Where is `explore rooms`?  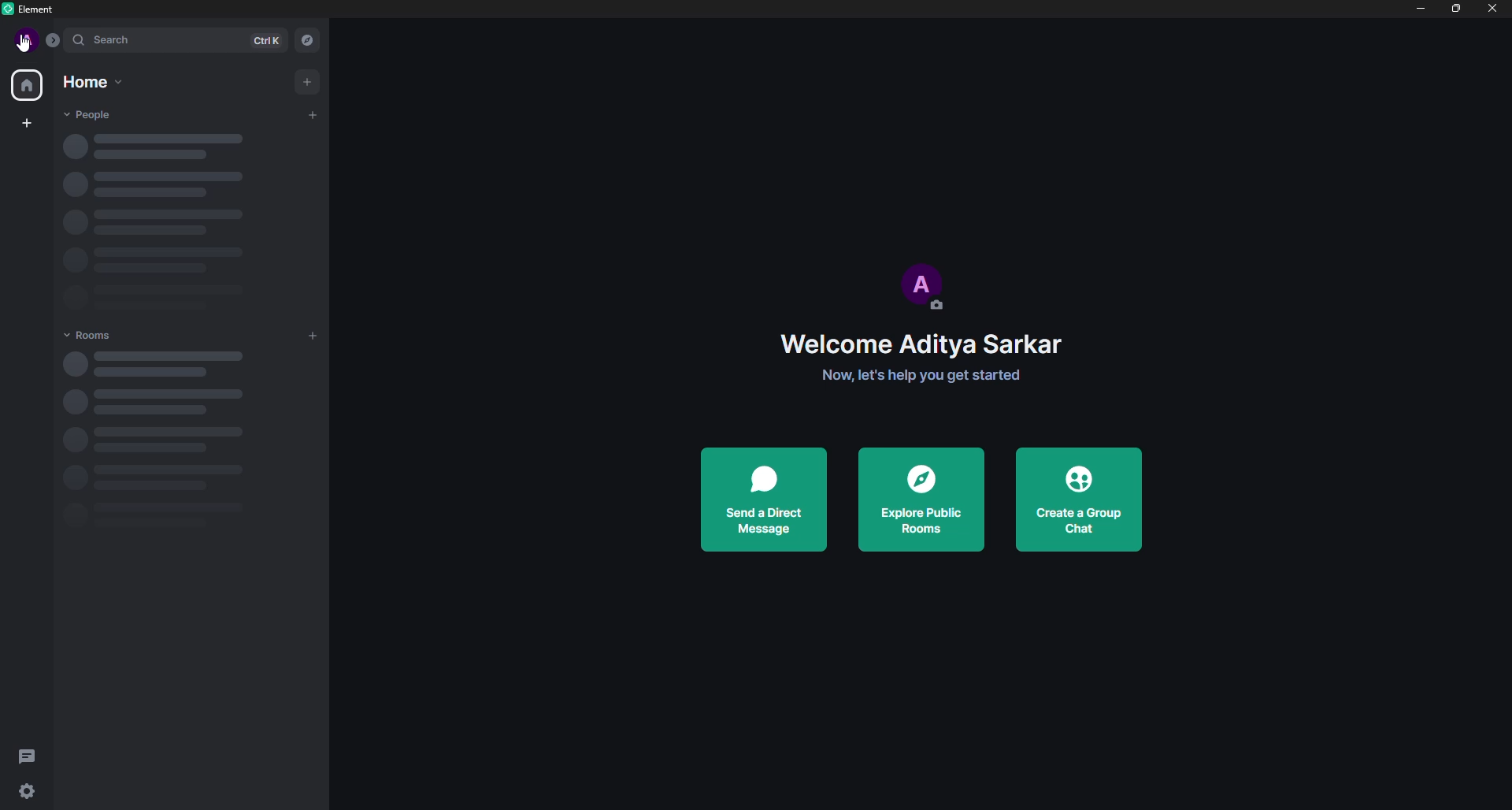 explore rooms is located at coordinates (312, 39).